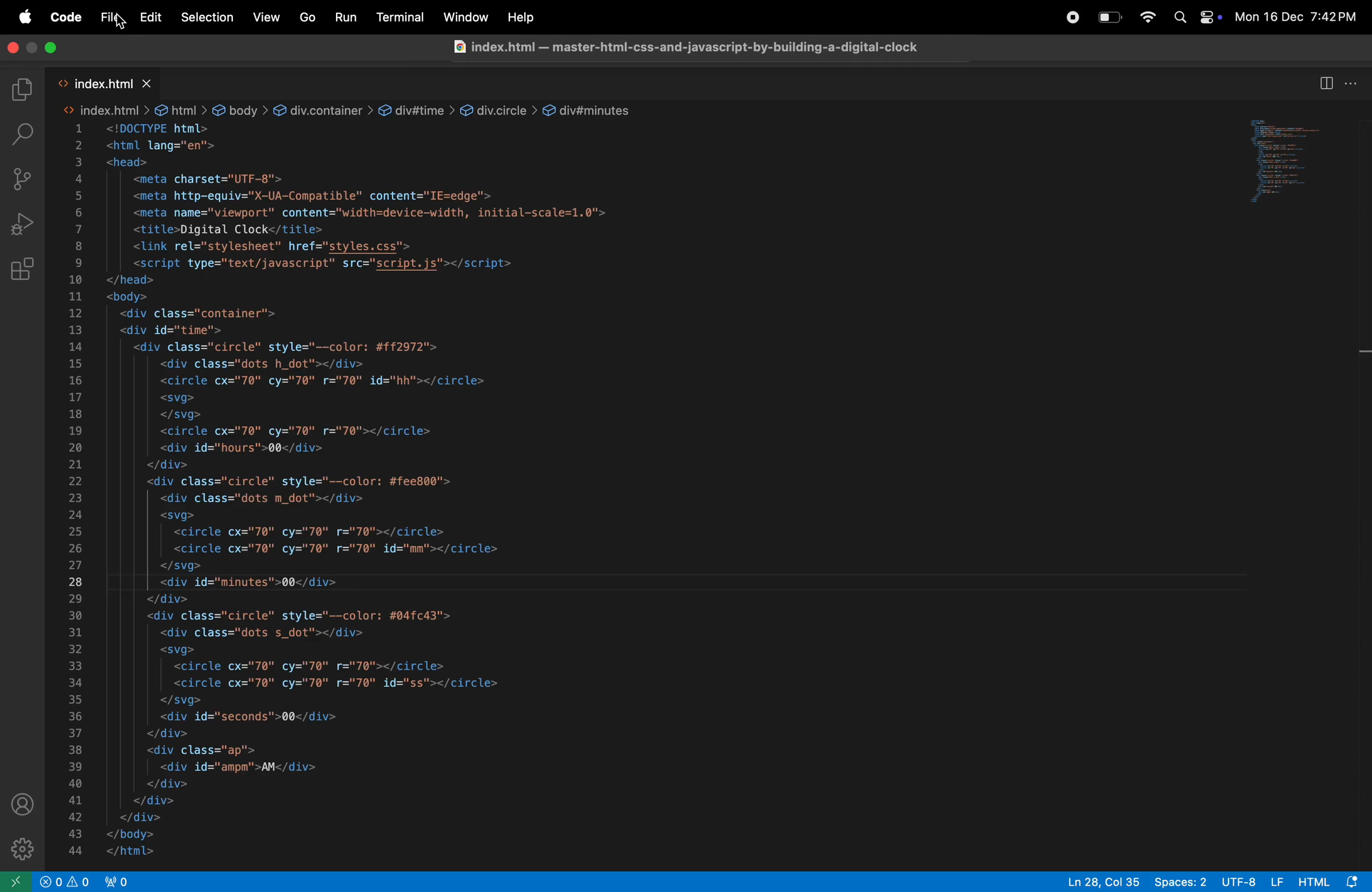 The width and height of the screenshot is (1372, 892). What do you see at coordinates (268, 16) in the screenshot?
I see `View` at bounding box center [268, 16].